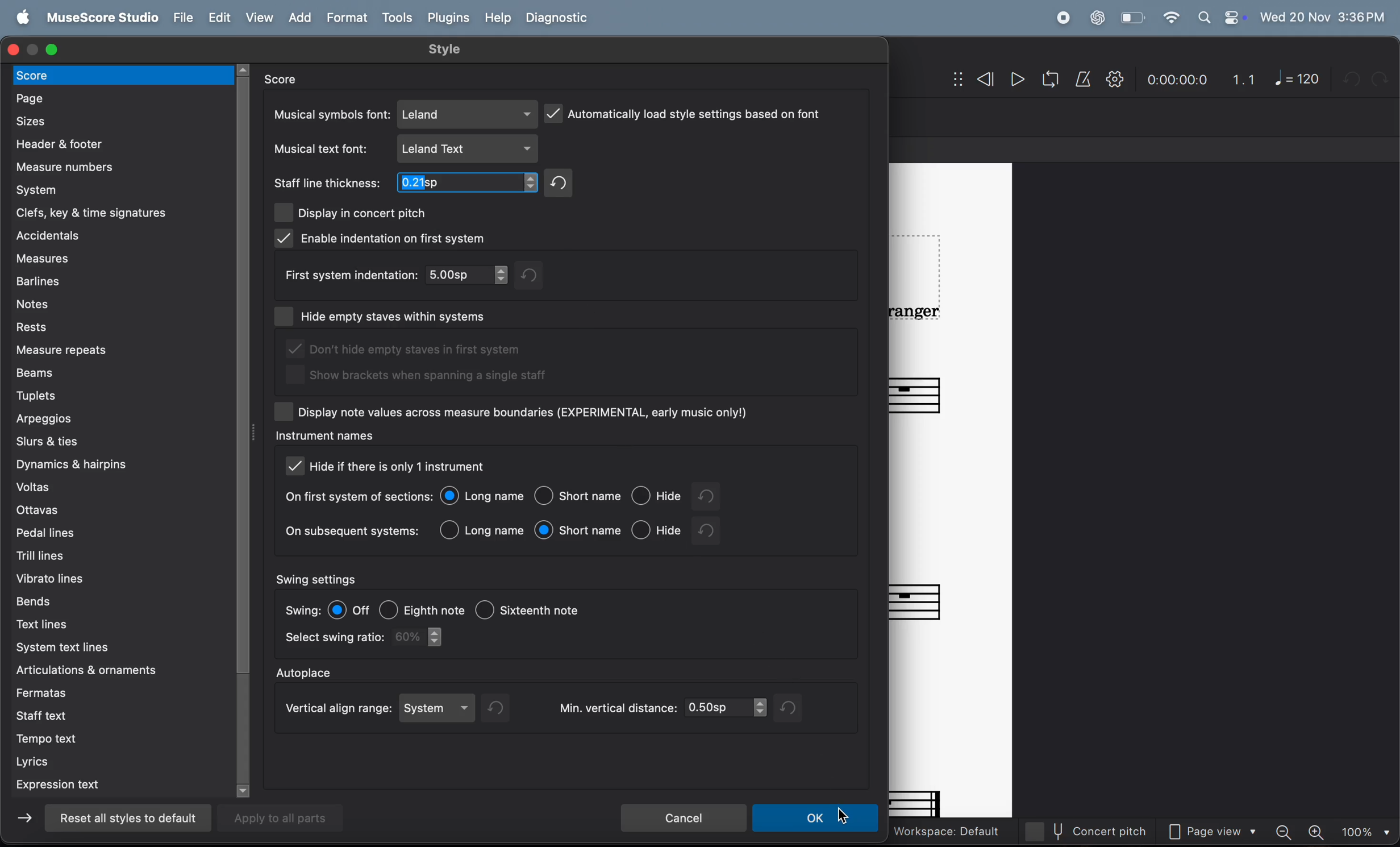 This screenshot has height=847, width=1400. Describe the element at coordinates (108, 576) in the screenshot. I see `vibrato lines` at that location.